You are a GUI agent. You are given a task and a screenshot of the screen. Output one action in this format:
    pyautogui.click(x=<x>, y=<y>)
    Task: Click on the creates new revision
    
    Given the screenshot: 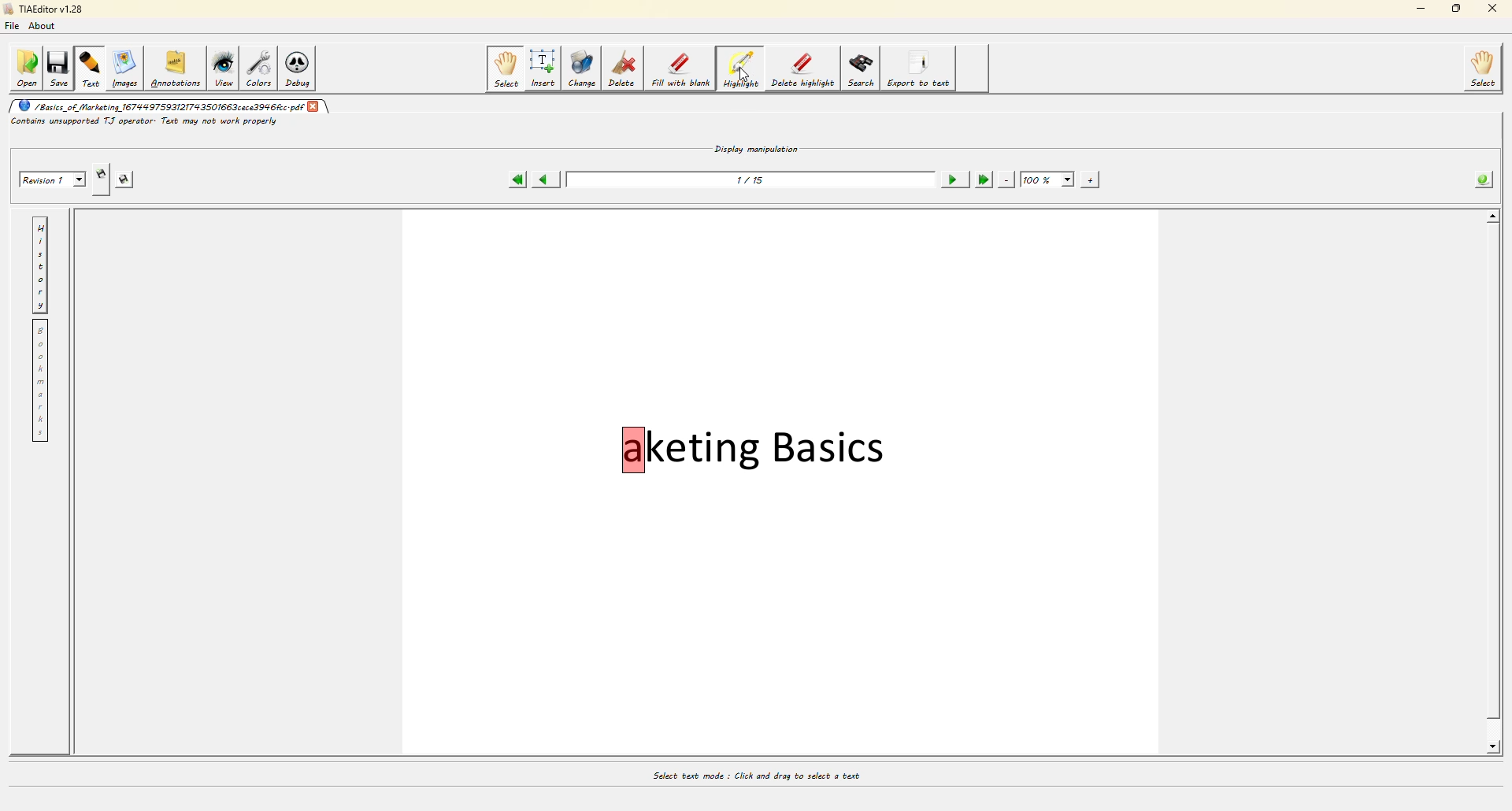 What is the action you would take?
    pyautogui.click(x=102, y=173)
    